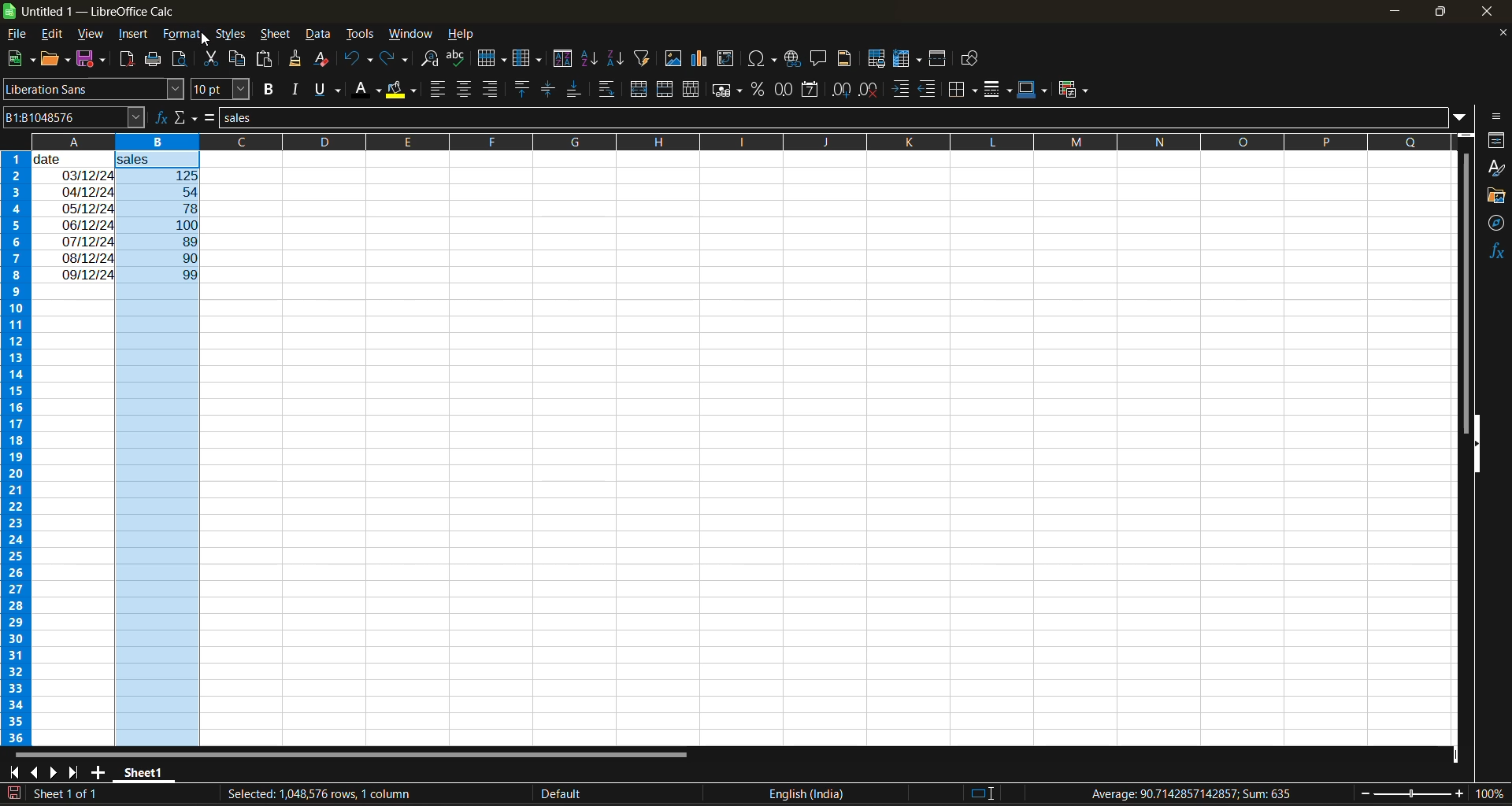 The image size is (1512, 806). I want to click on text language, so click(676, 793).